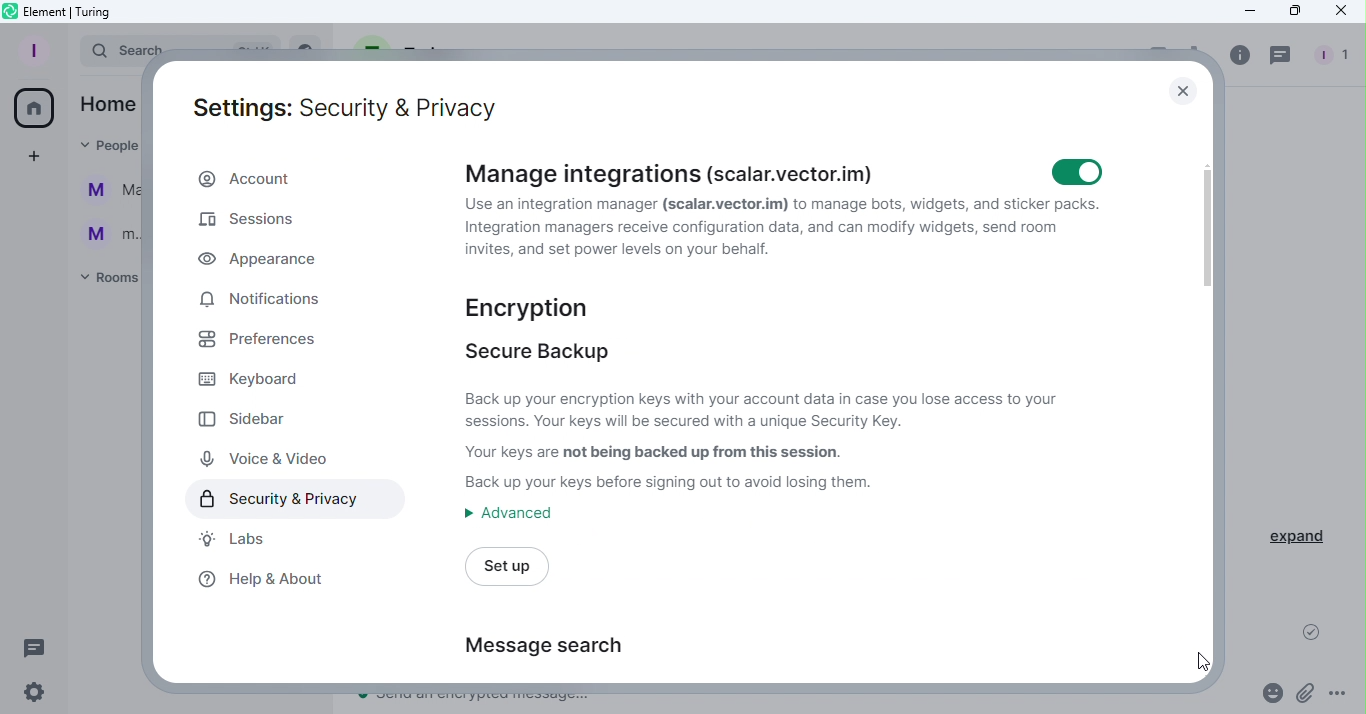 This screenshot has width=1366, height=714. Describe the element at coordinates (347, 104) in the screenshot. I see `Settings: Security and Privacy` at that location.